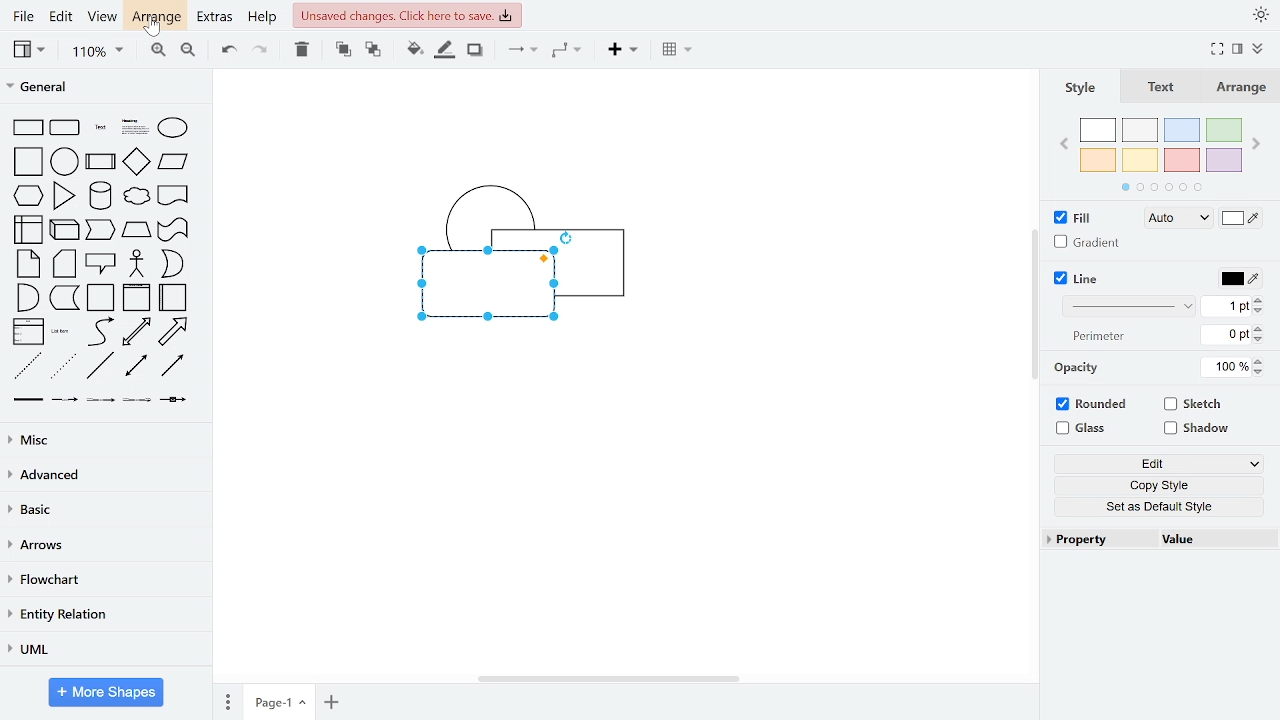 The width and height of the screenshot is (1280, 720). Describe the element at coordinates (521, 55) in the screenshot. I see `connector` at that location.